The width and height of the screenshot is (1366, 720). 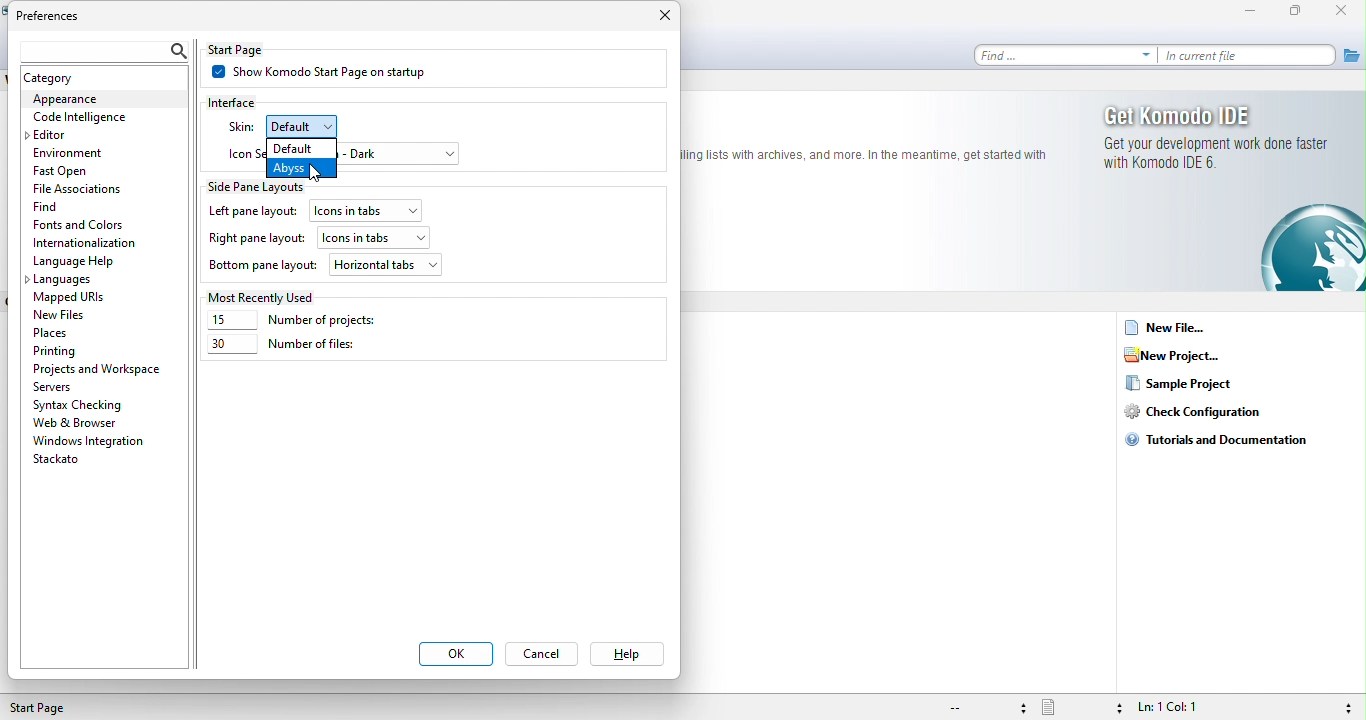 I want to click on get your development work done faster with komodo ide 6, so click(x=1220, y=158).